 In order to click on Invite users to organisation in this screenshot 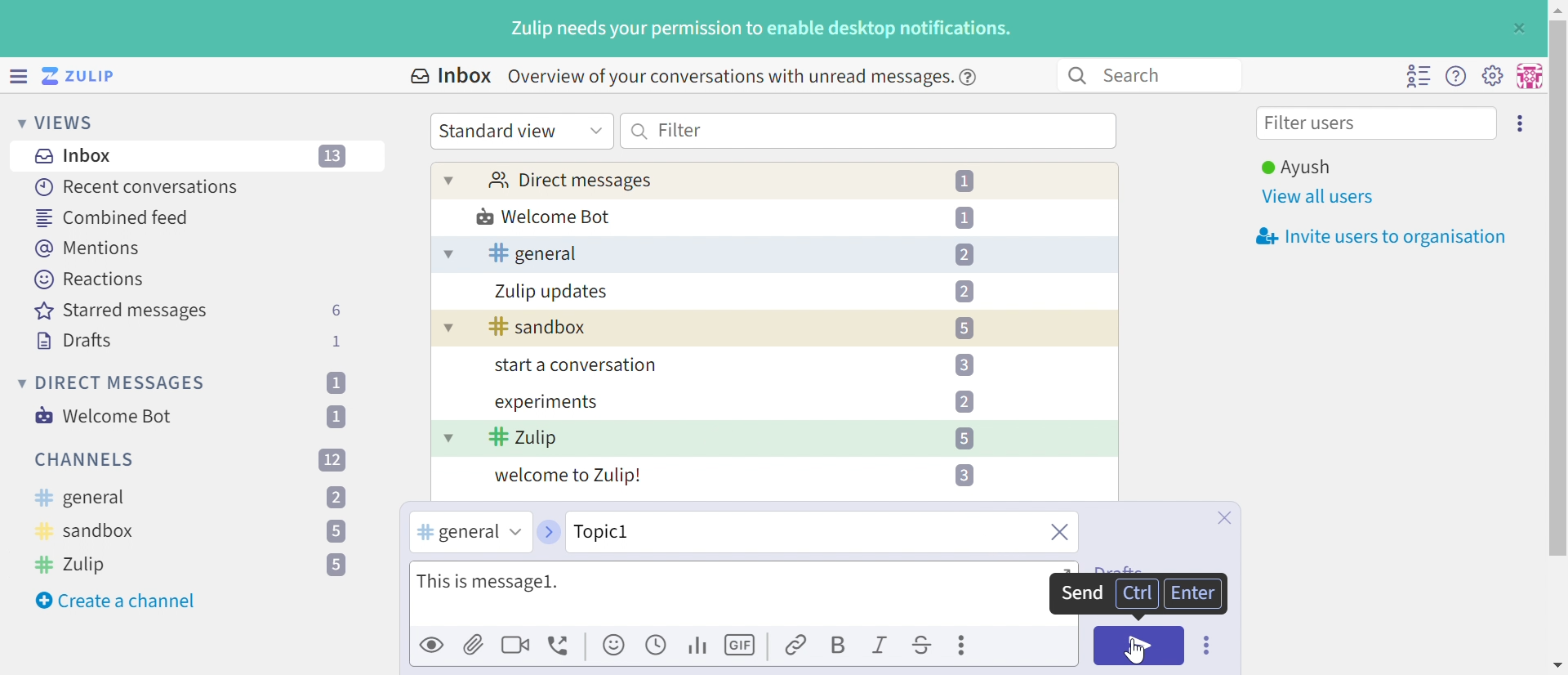, I will do `click(1521, 122)`.